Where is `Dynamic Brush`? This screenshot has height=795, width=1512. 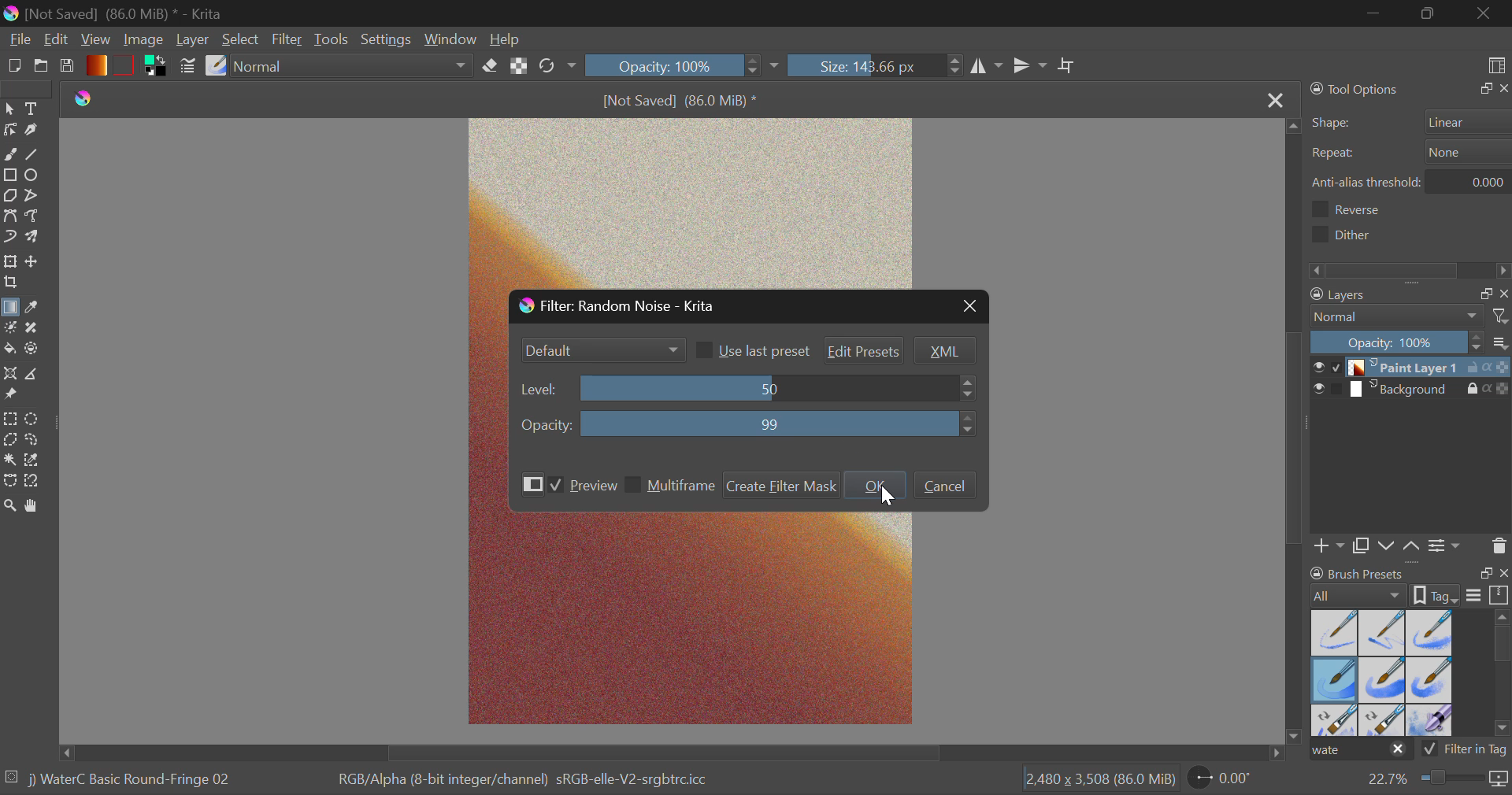
Dynamic Brush is located at coordinates (9, 236).